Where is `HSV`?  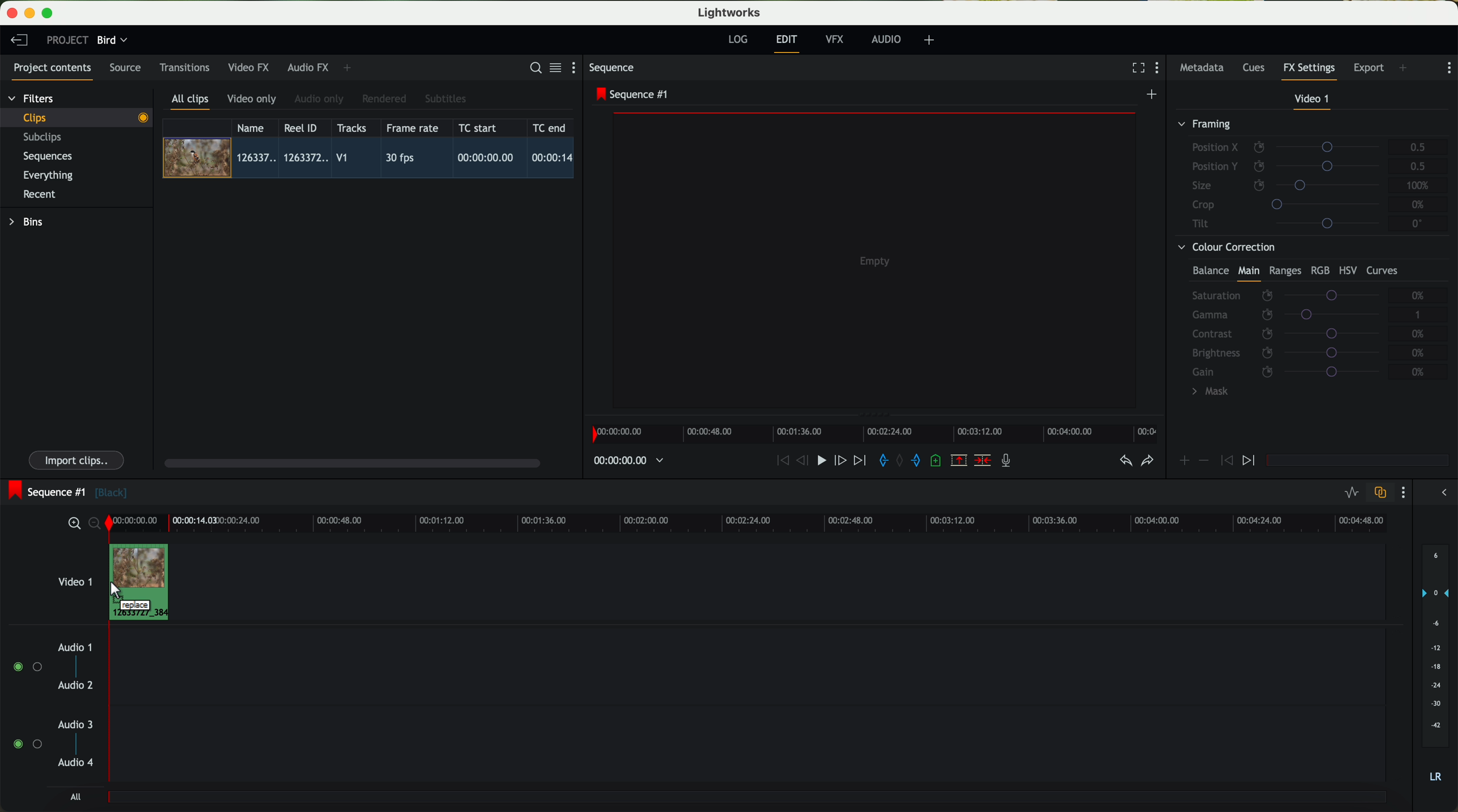 HSV is located at coordinates (1347, 270).